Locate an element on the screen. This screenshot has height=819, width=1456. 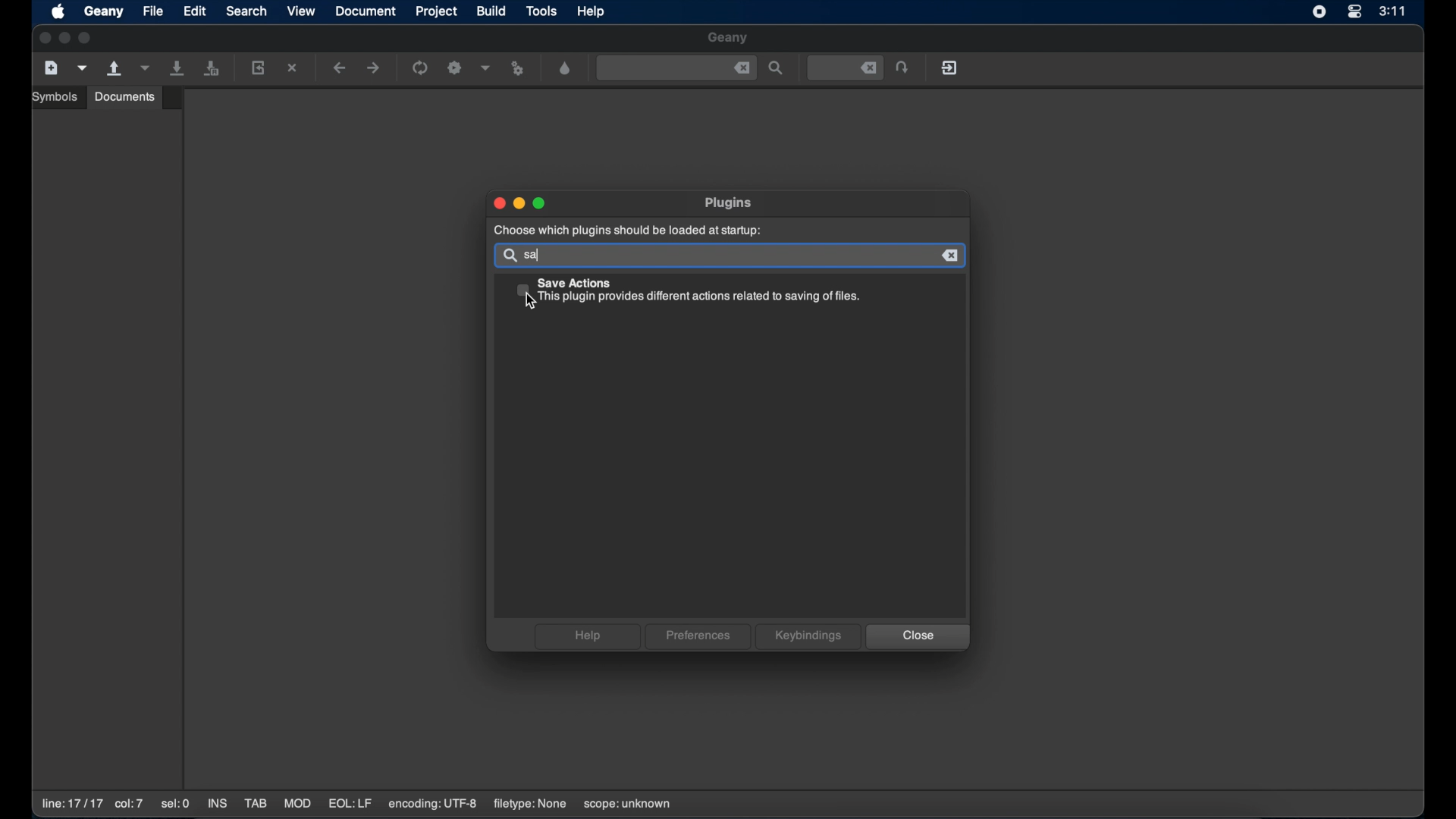
save actions plugin is located at coordinates (689, 292).